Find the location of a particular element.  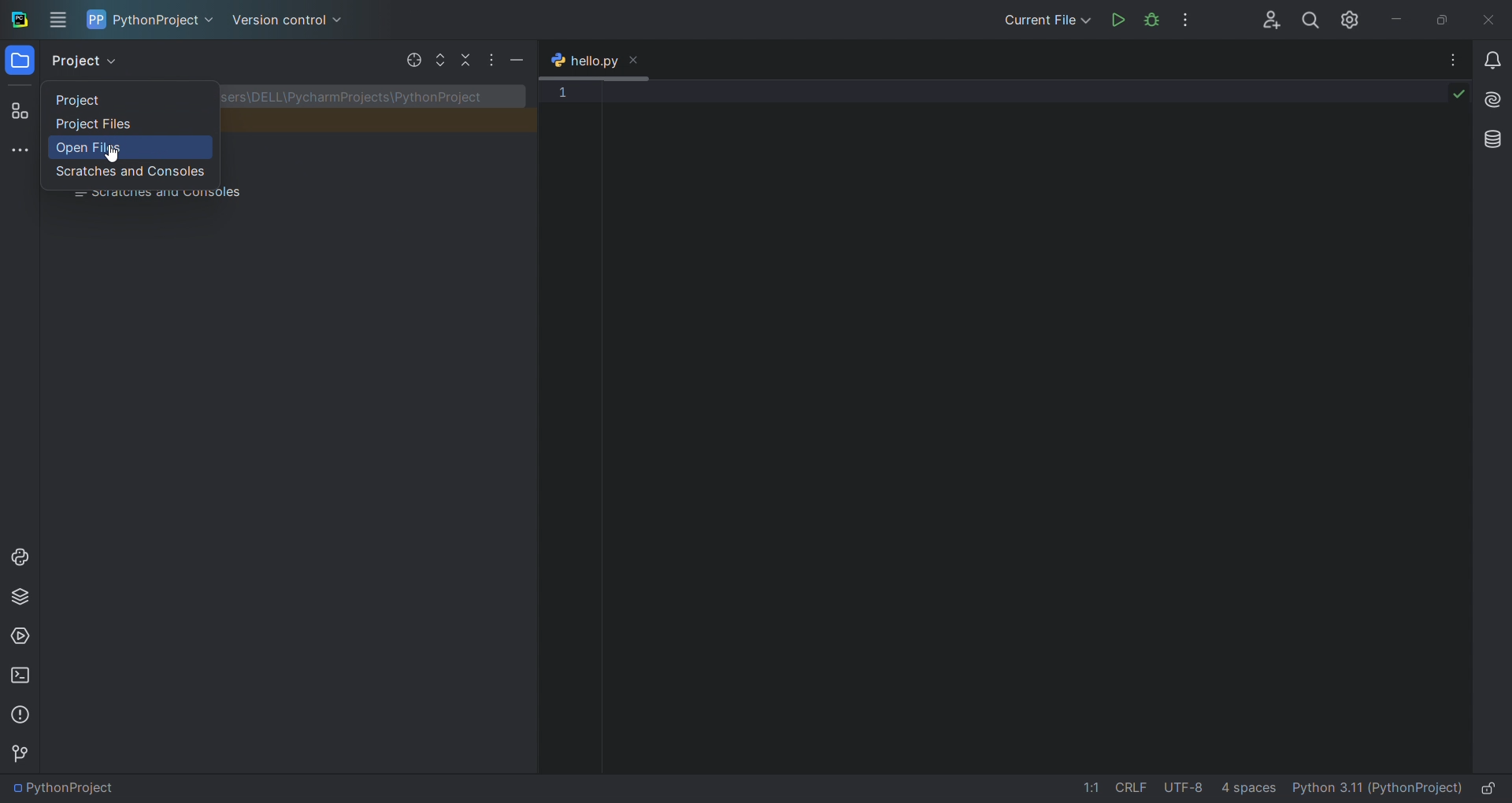

file path is located at coordinates (65, 790).